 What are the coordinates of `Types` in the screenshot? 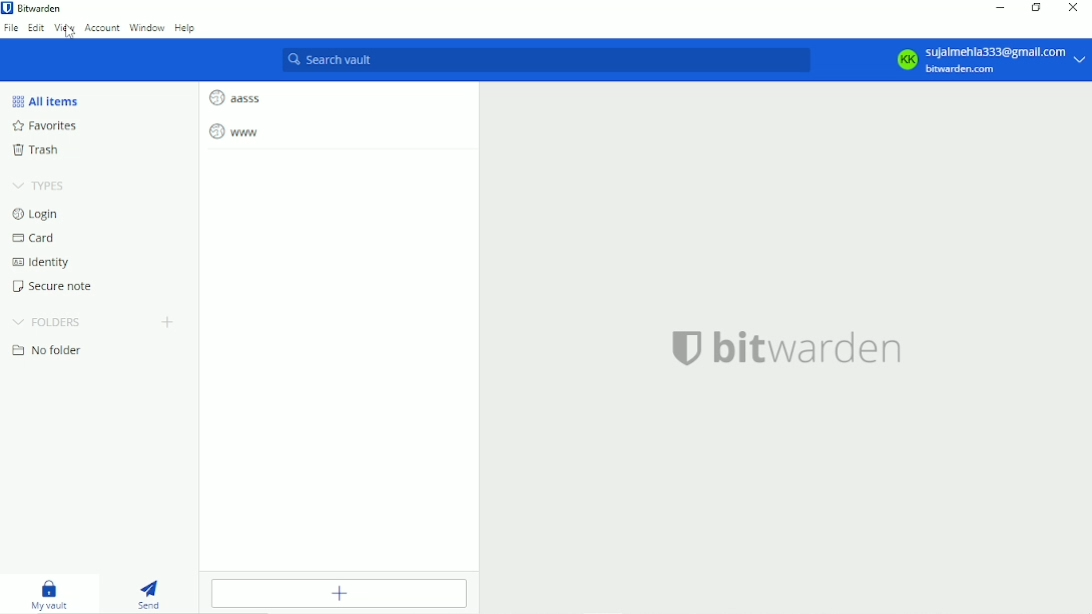 It's located at (40, 184).